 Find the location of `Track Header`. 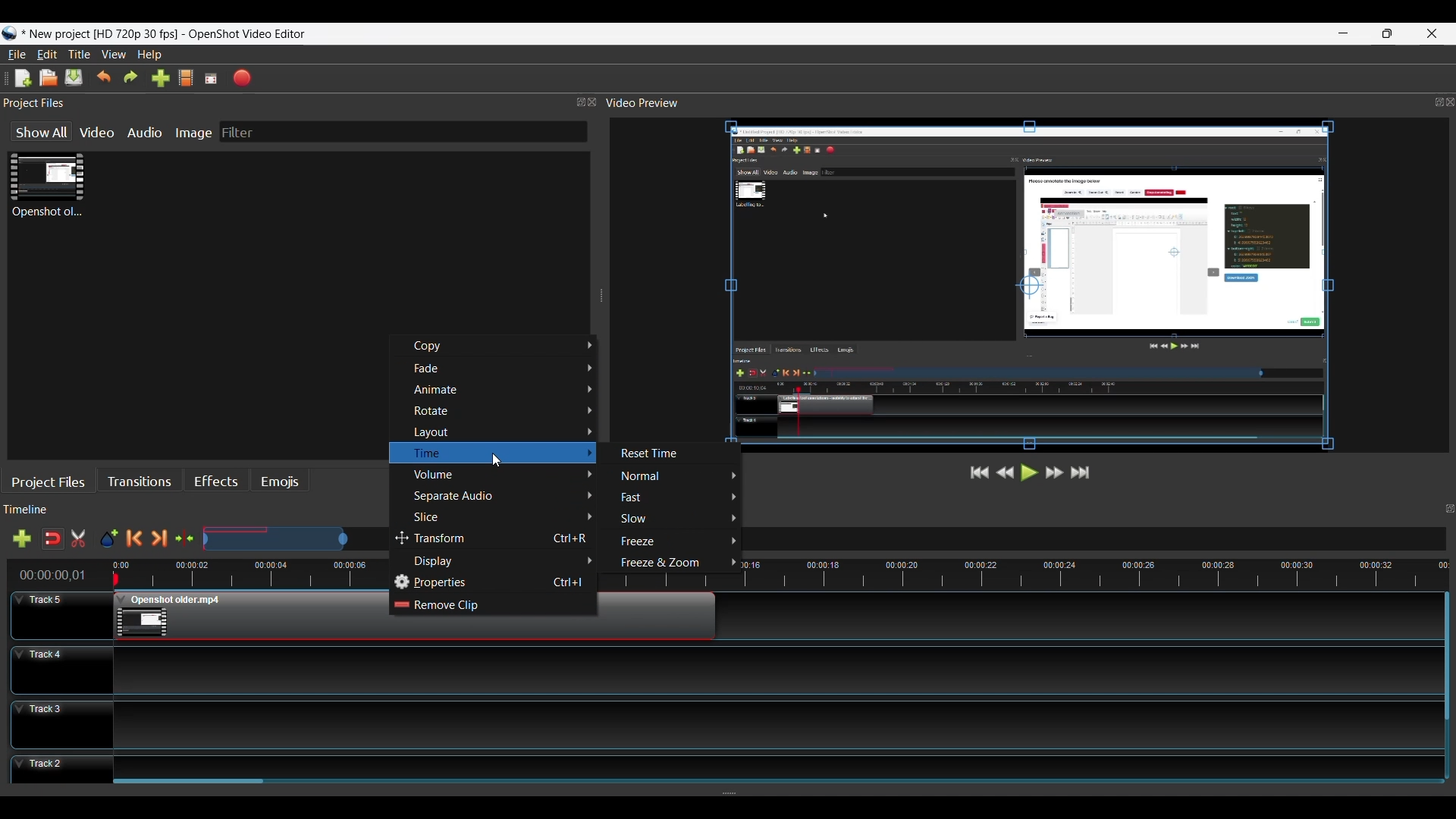

Track Header is located at coordinates (58, 670).